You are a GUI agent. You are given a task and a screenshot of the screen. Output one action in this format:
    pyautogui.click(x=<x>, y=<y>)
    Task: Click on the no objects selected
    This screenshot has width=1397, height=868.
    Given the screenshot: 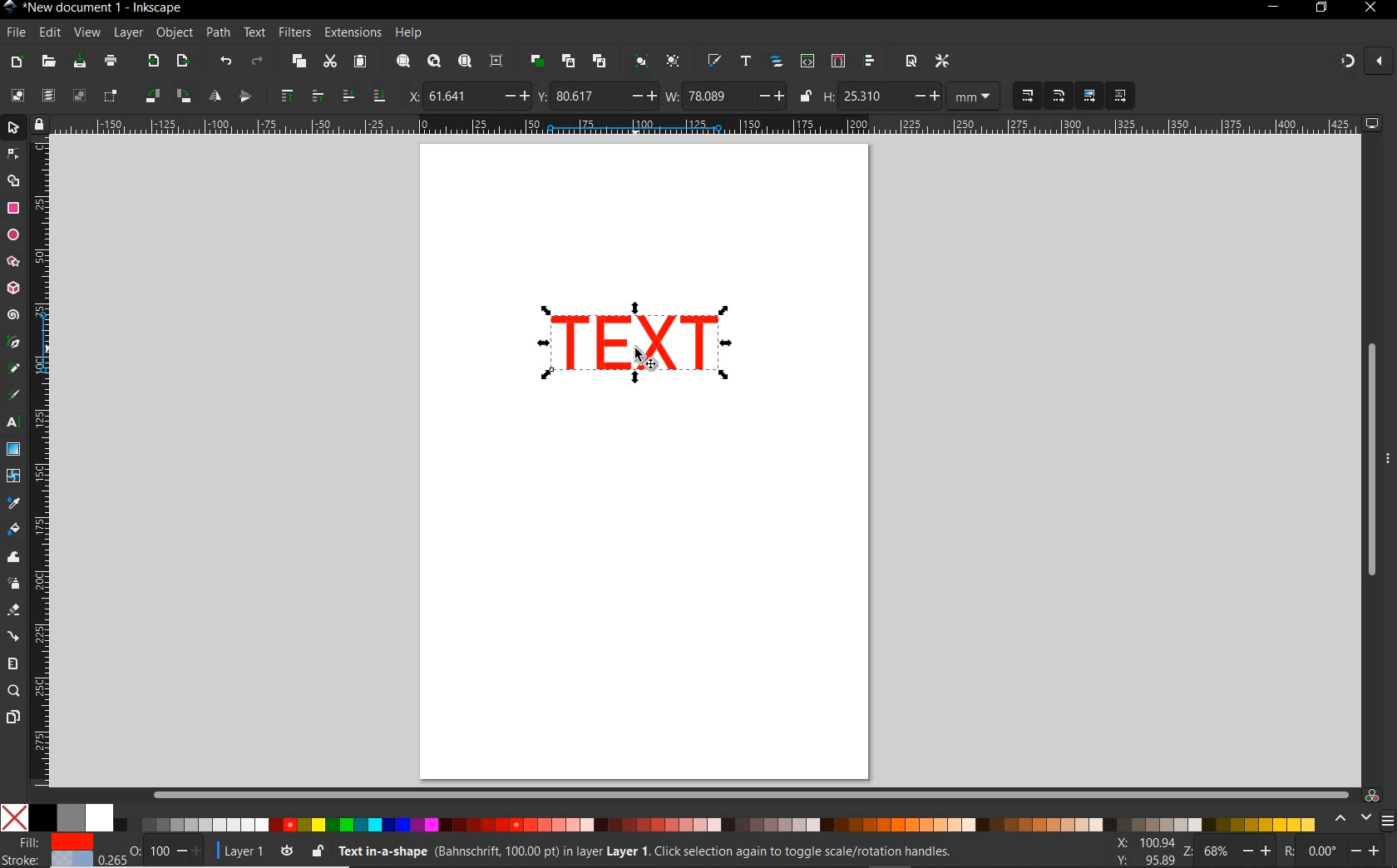 What is the action you would take?
    pyautogui.click(x=637, y=851)
    